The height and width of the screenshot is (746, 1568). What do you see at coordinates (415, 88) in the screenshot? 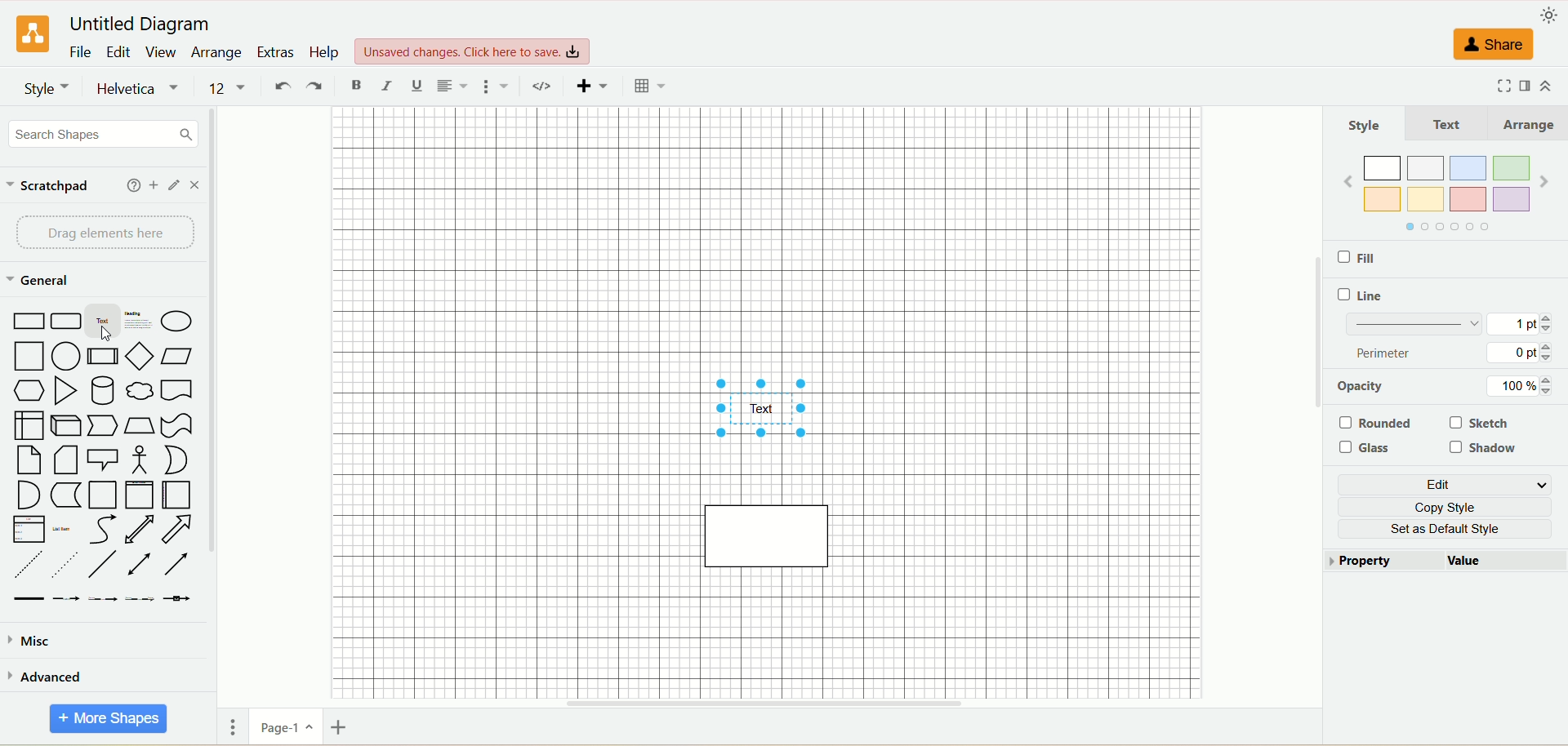
I see `text underline` at bounding box center [415, 88].